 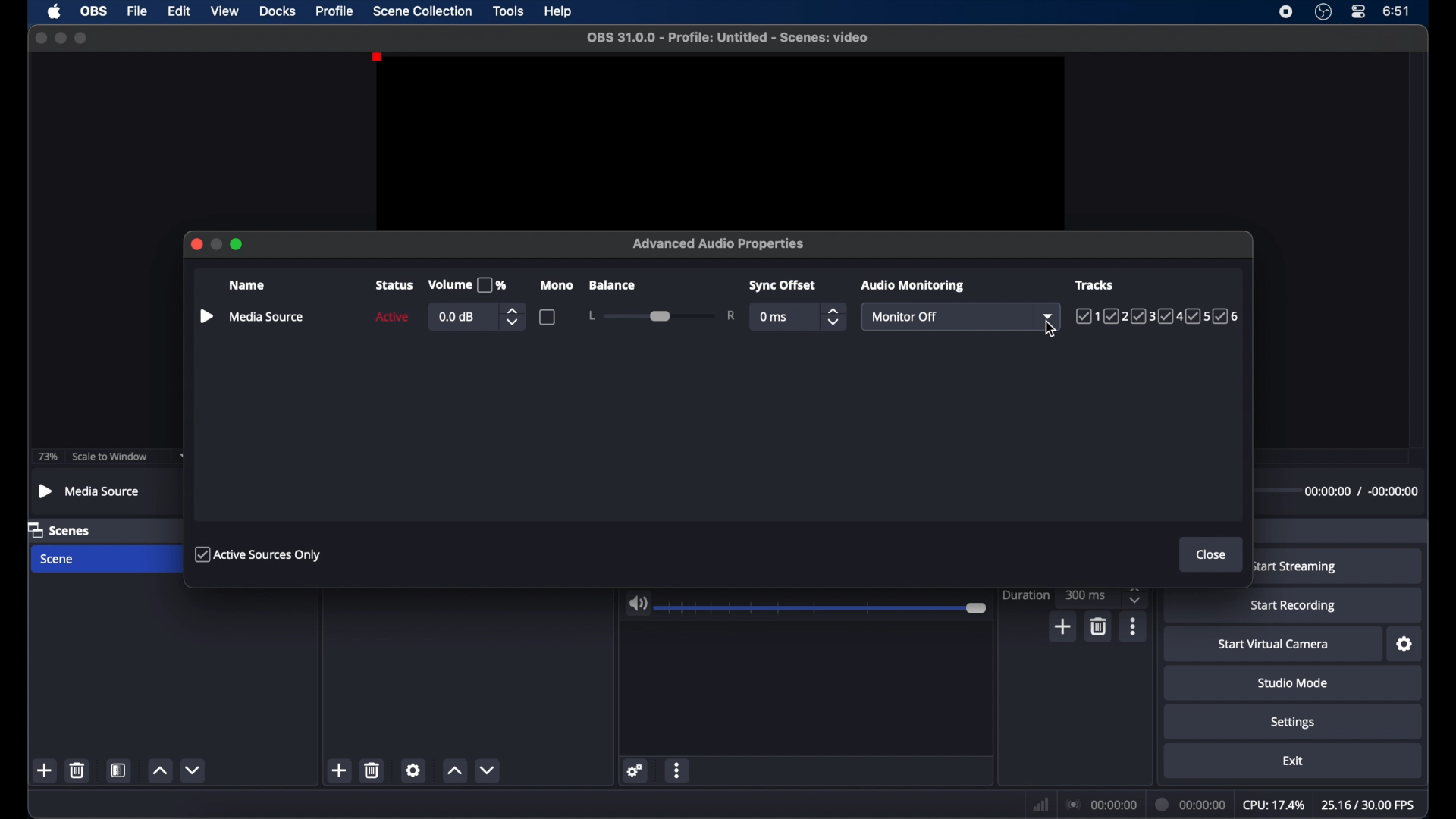 What do you see at coordinates (278, 11) in the screenshot?
I see `docks` at bounding box center [278, 11].